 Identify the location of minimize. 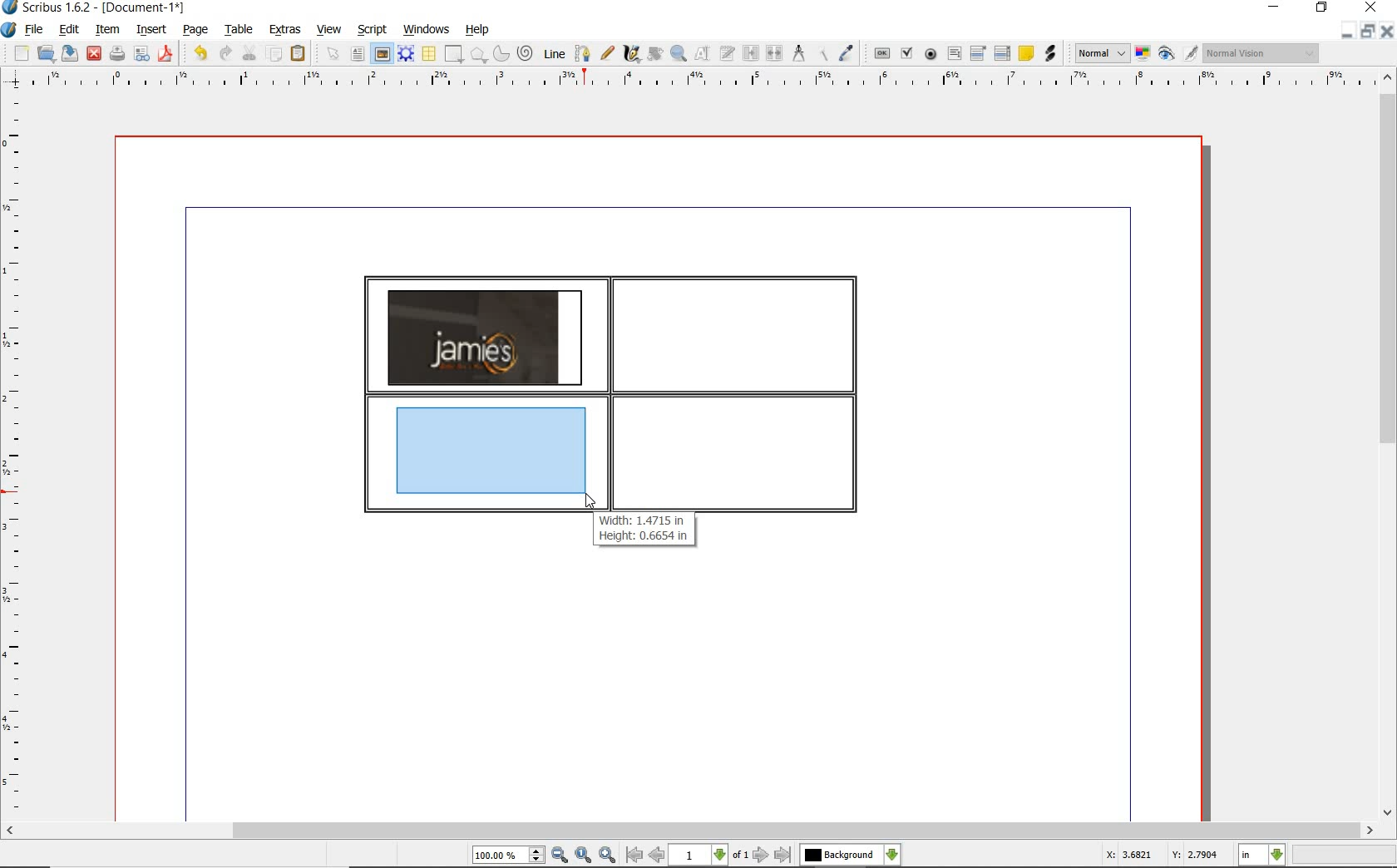
(1345, 32).